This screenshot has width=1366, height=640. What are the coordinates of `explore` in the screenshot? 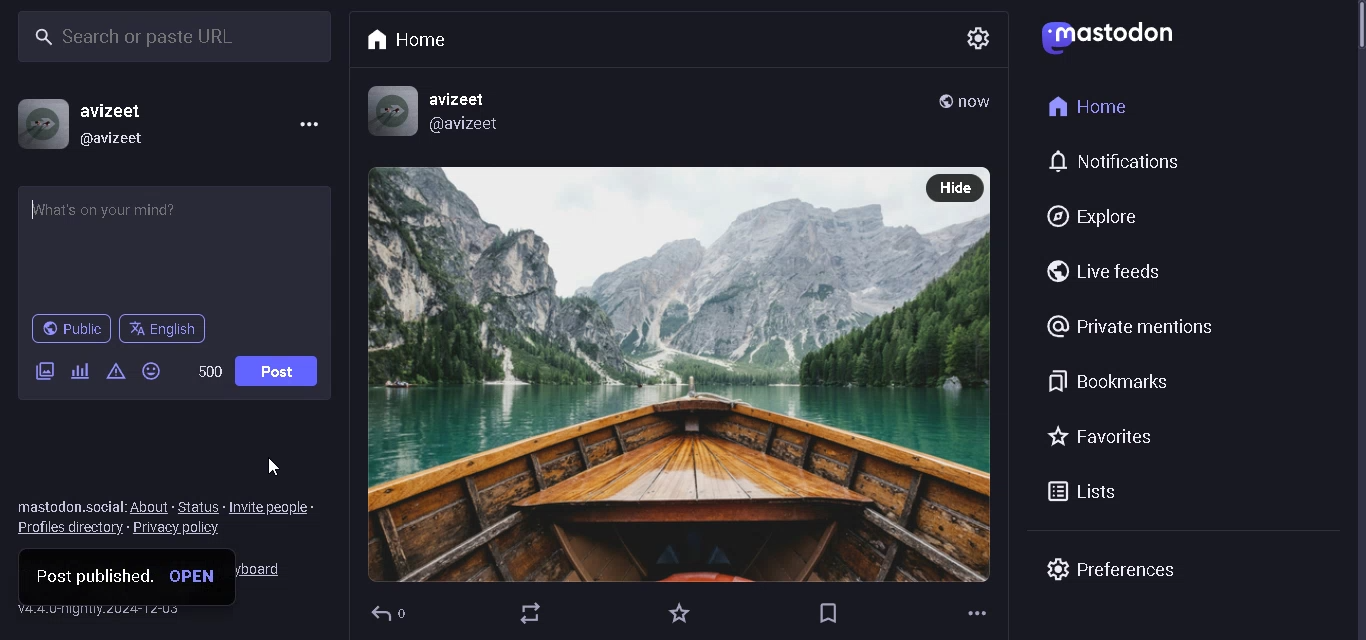 It's located at (1086, 218).